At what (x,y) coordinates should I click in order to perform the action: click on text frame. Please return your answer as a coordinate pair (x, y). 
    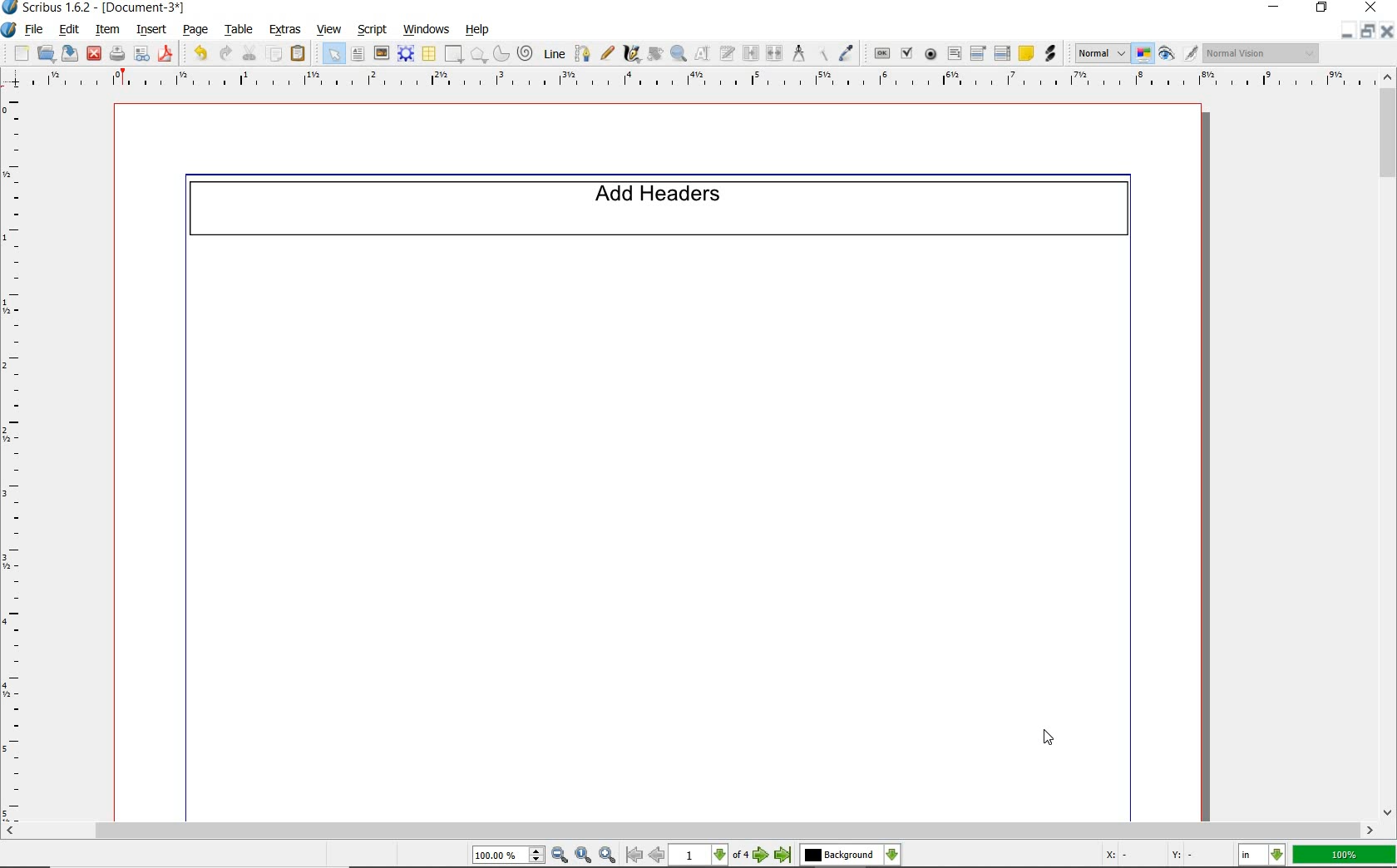
    Looking at the image, I should click on (358, 56).